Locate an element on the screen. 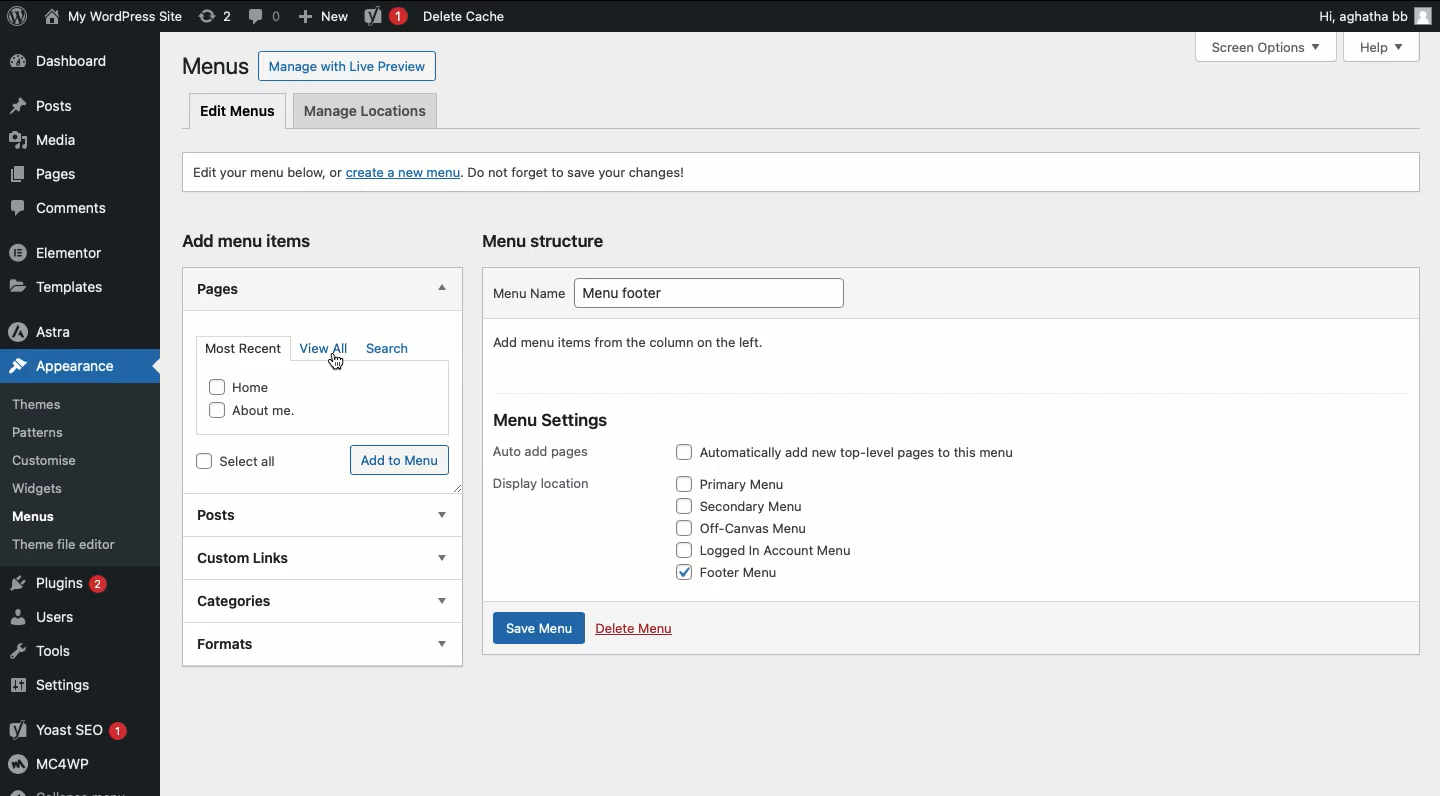  checkbox is located at coordinates (212, 413).